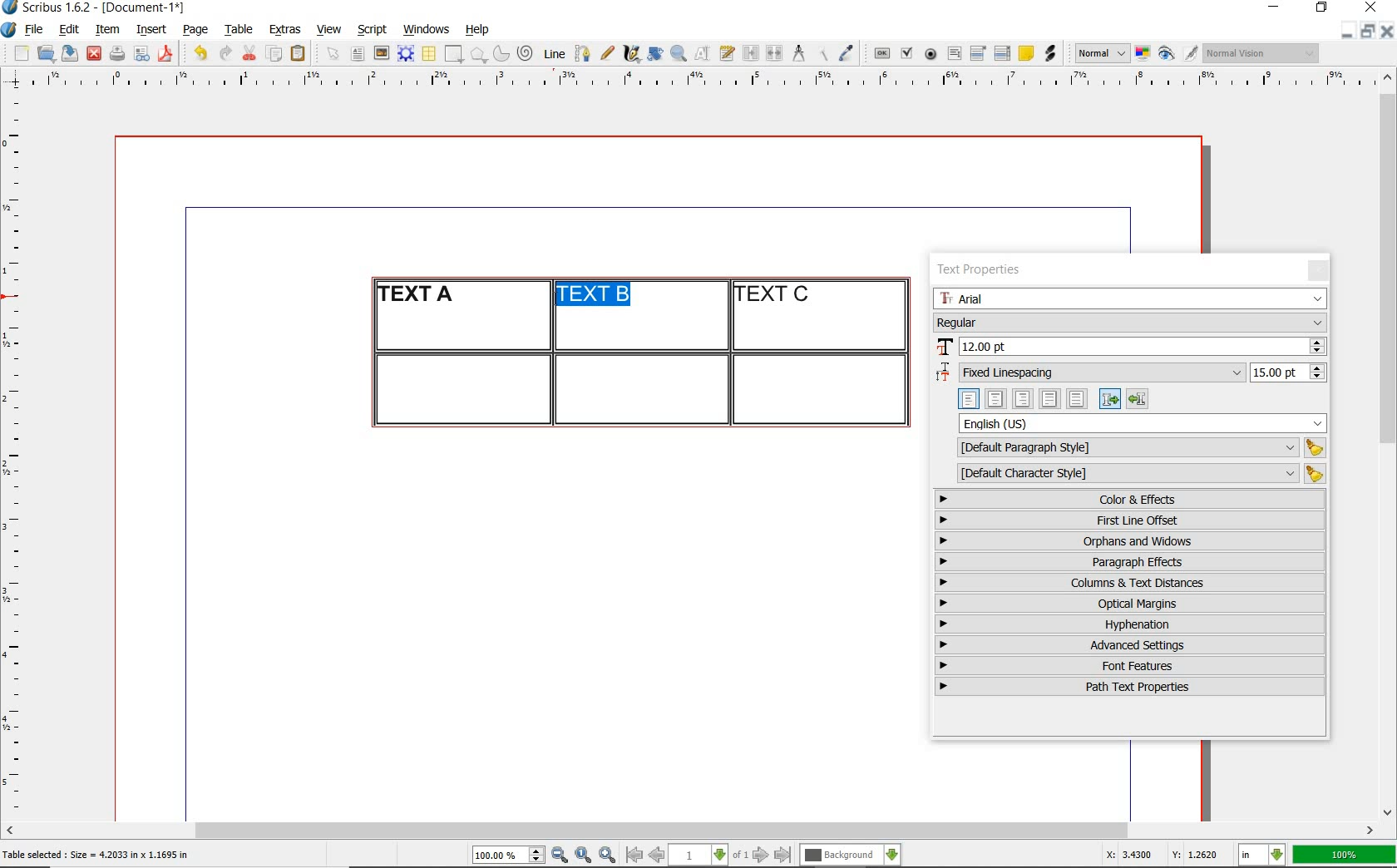  Describe the element at coordinates (19, 53) in the screenshot. I see `new` at that location.